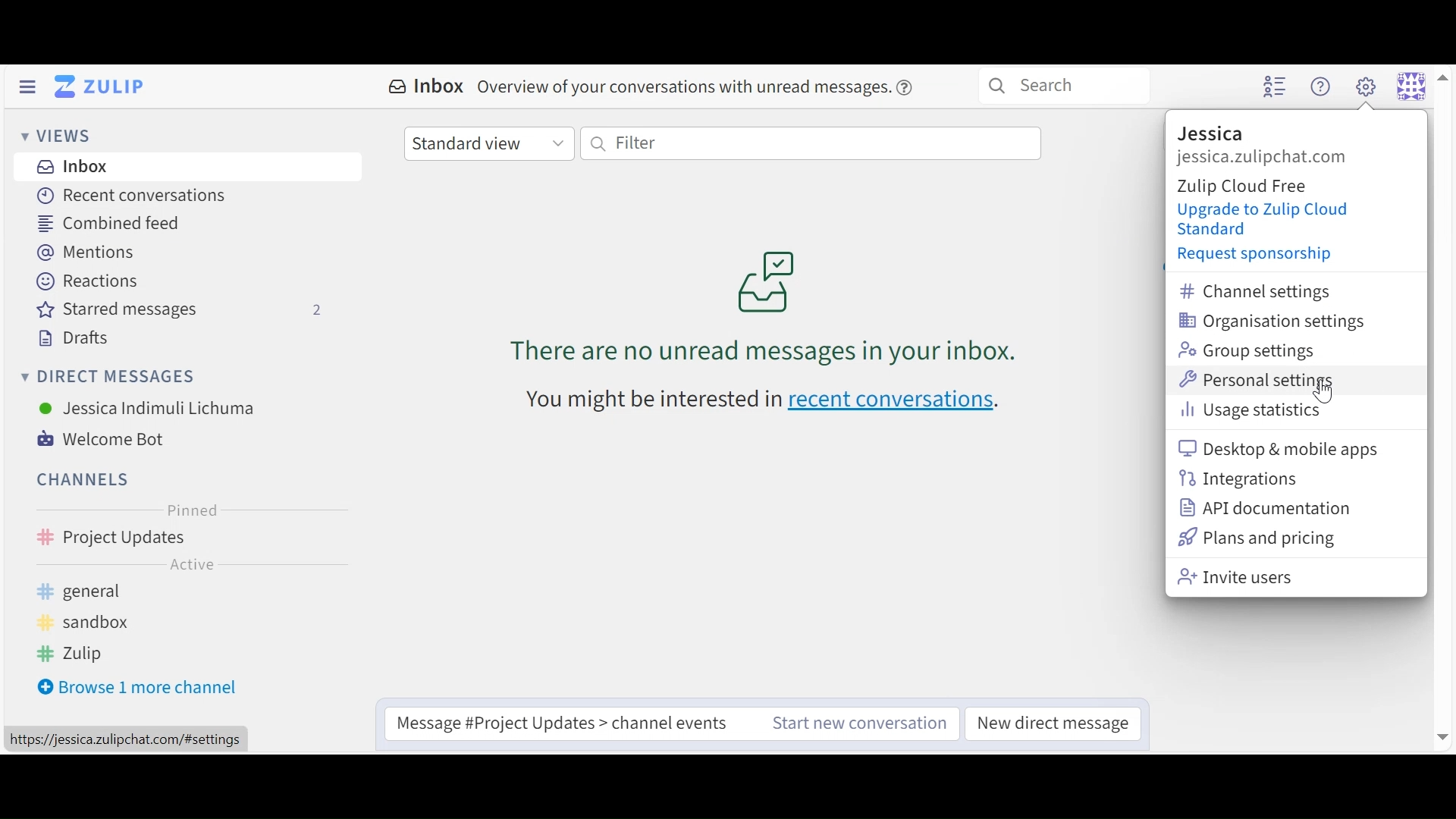 The width and height of the screenshot is (1456, 819). Describe the element at coordinates (1271, 322) in the screenshot. I see `Organisation settings` at that location.